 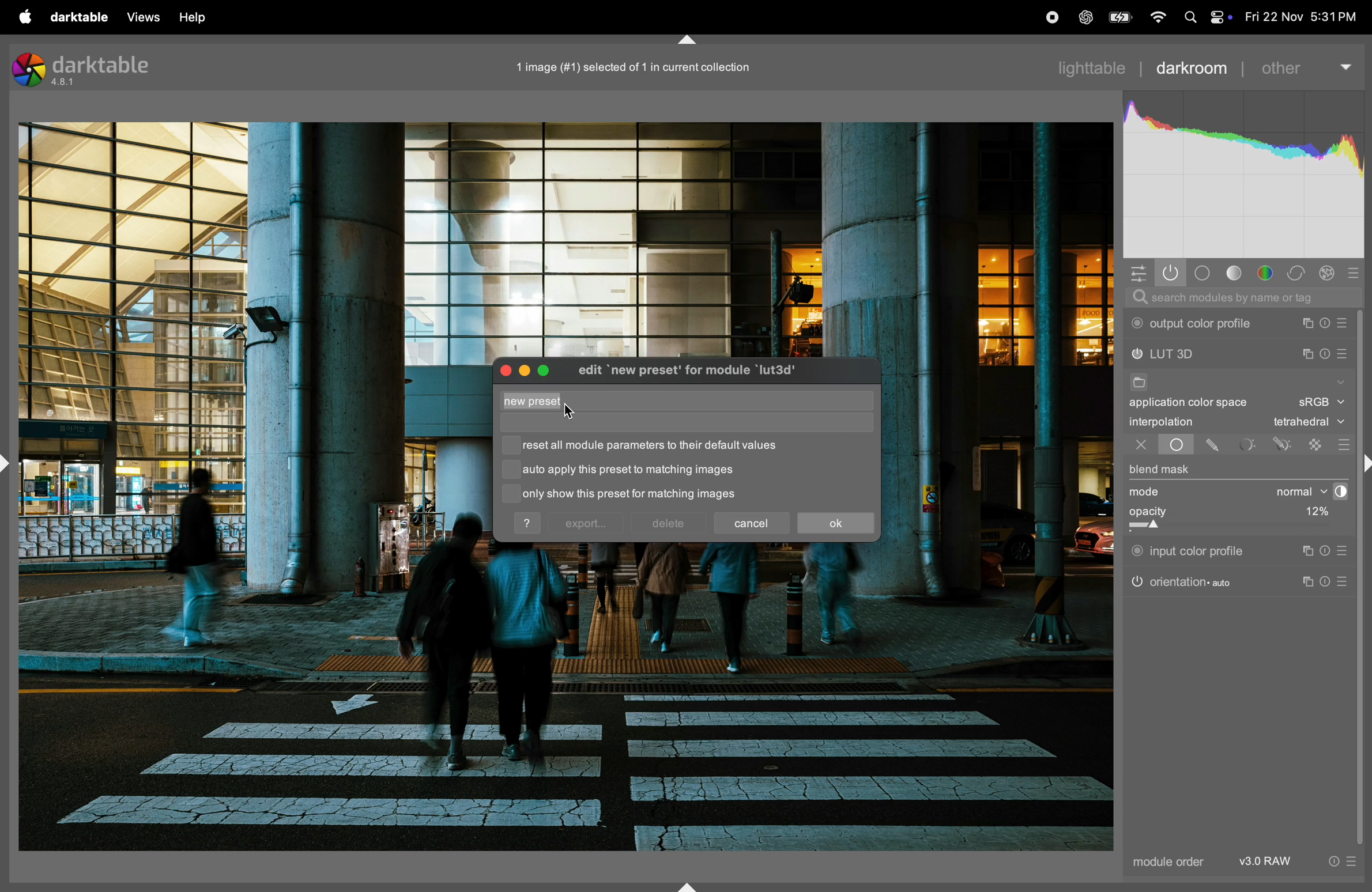 What do you see at coordinates (195, 17) in the screenshot?
I see `help` at bounding box center [195, 17].